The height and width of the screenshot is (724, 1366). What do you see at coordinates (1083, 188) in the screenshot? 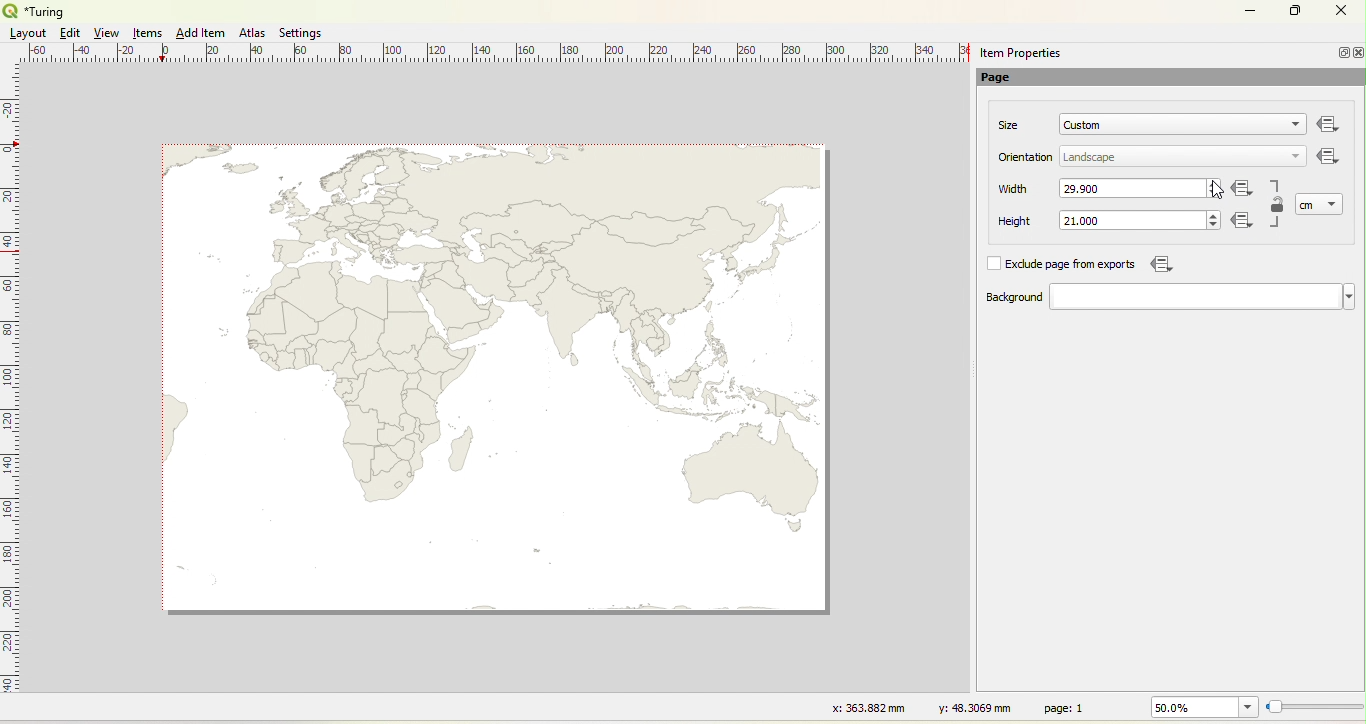
I see `29.900` at bounding box center [1083, 188].